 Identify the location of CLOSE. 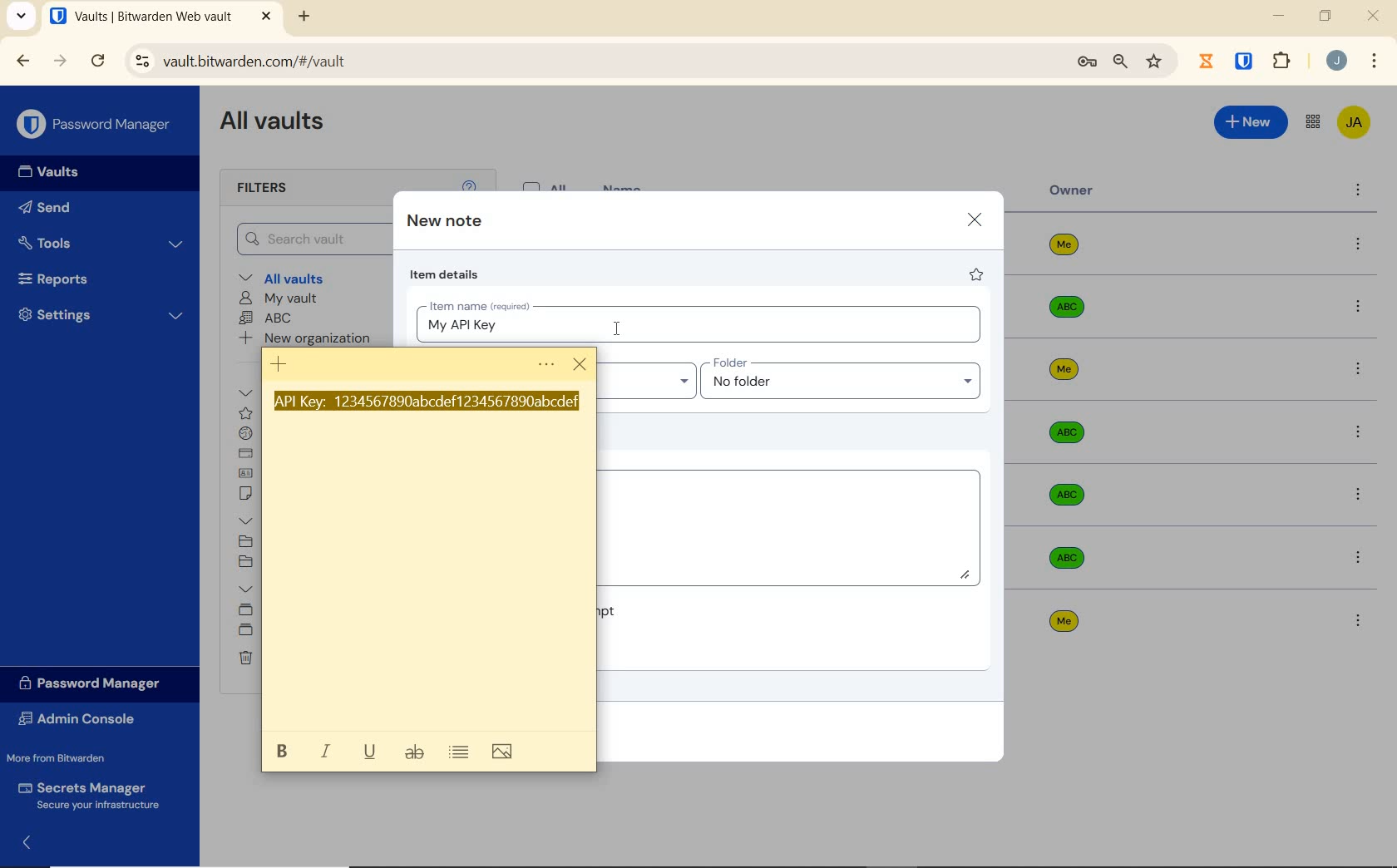
(1375, 20).